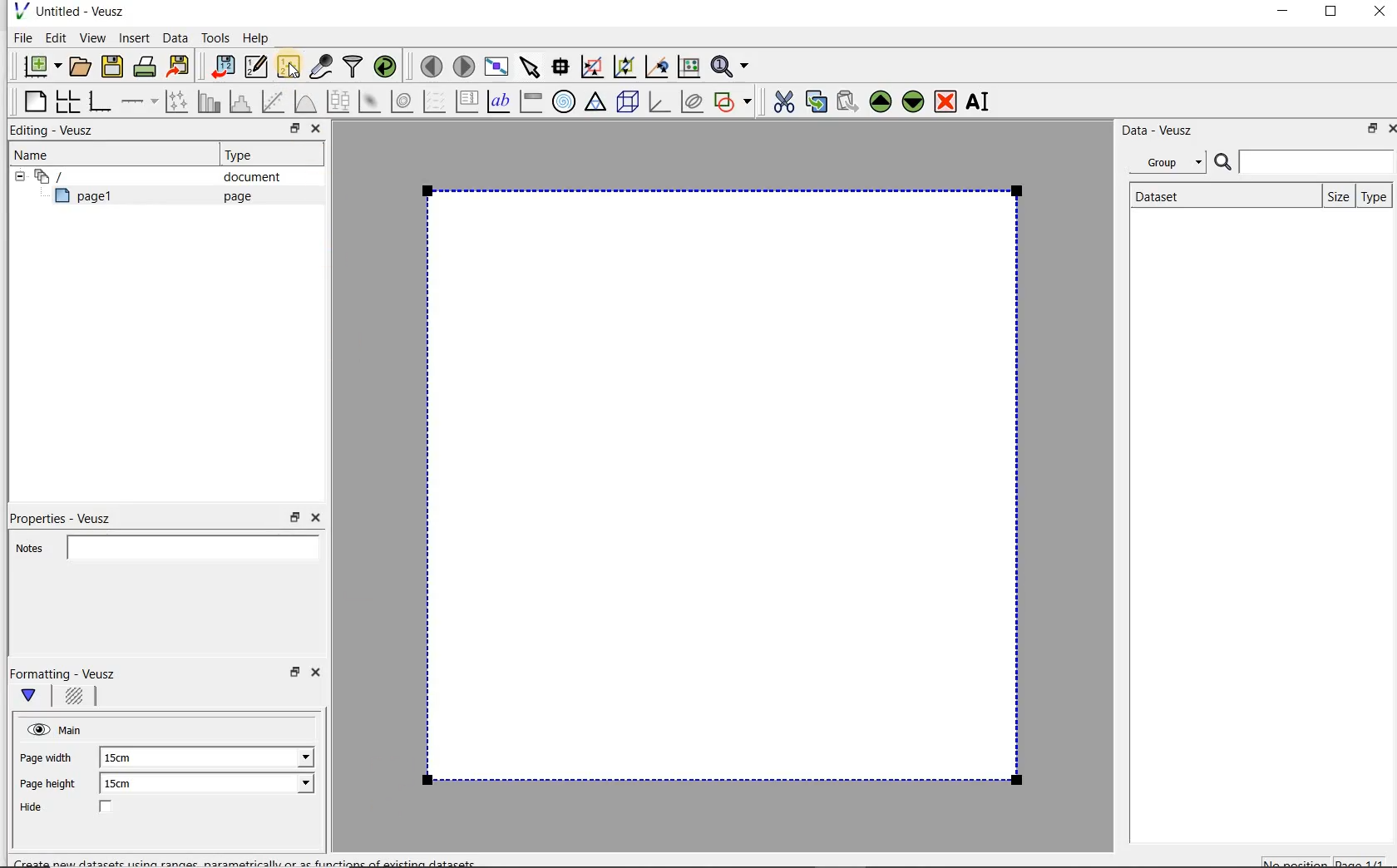 The height and width of the screenshot is (868, 1397). Describe the element at coordinates (210, 101) in the screenshot. I see `plot bar charts` at that location.